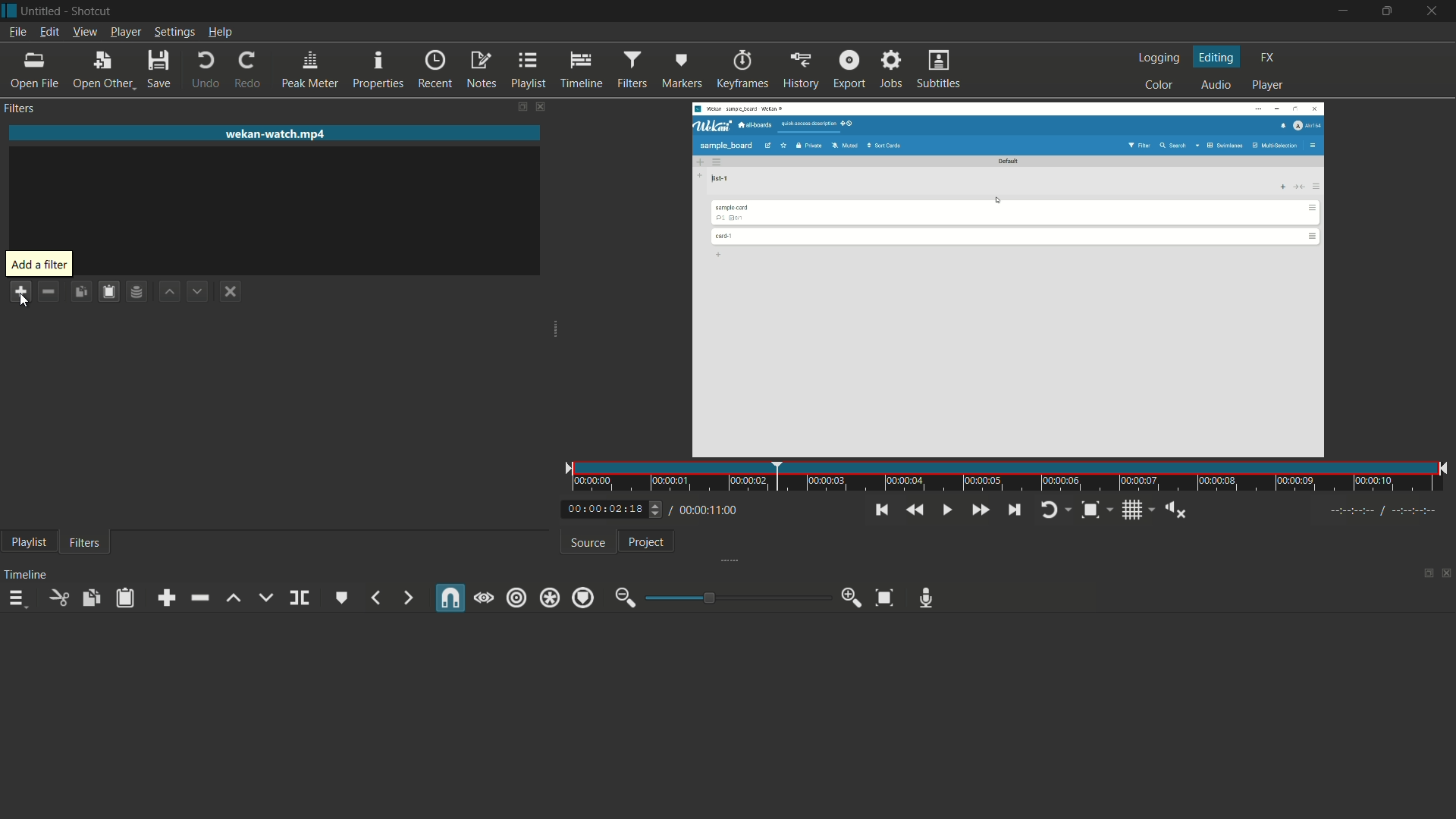 This screenshot has width=1456, height=819. What do you see at coordinates (174, 32) in the screenshot?
I see `settings menu` at bounding box center [174, 32].